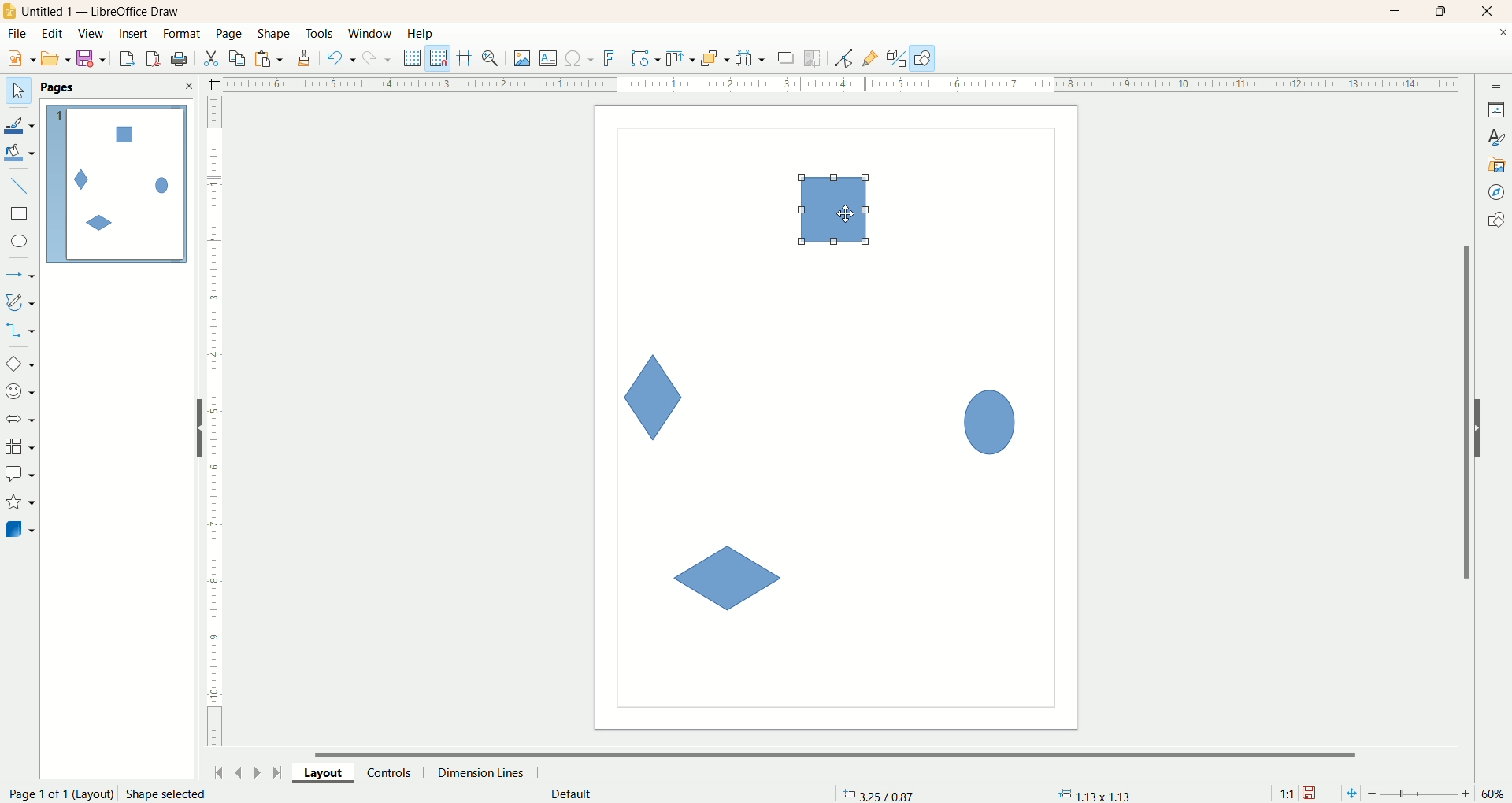 The height and width of the screenshot is (803, 1512). I want to click on export as PDF, so click(181, 60).